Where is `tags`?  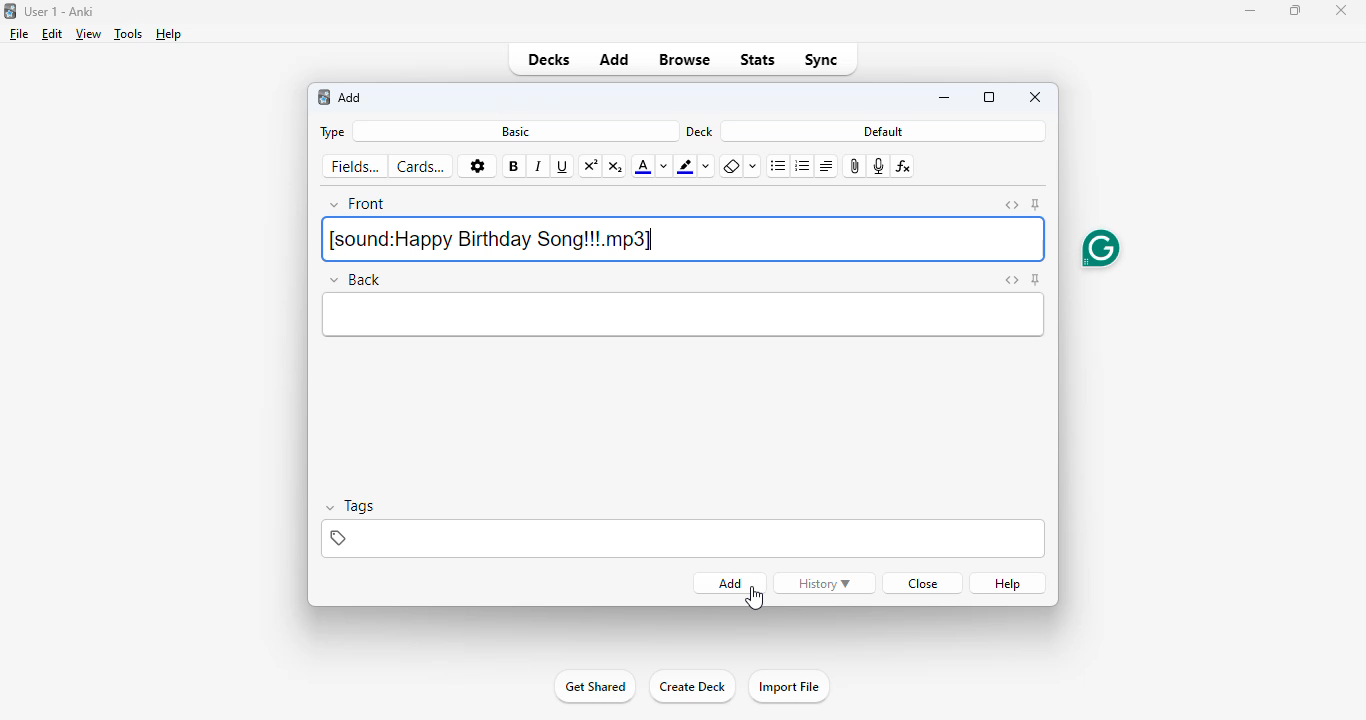
tags is located at coordinates (354, 506).